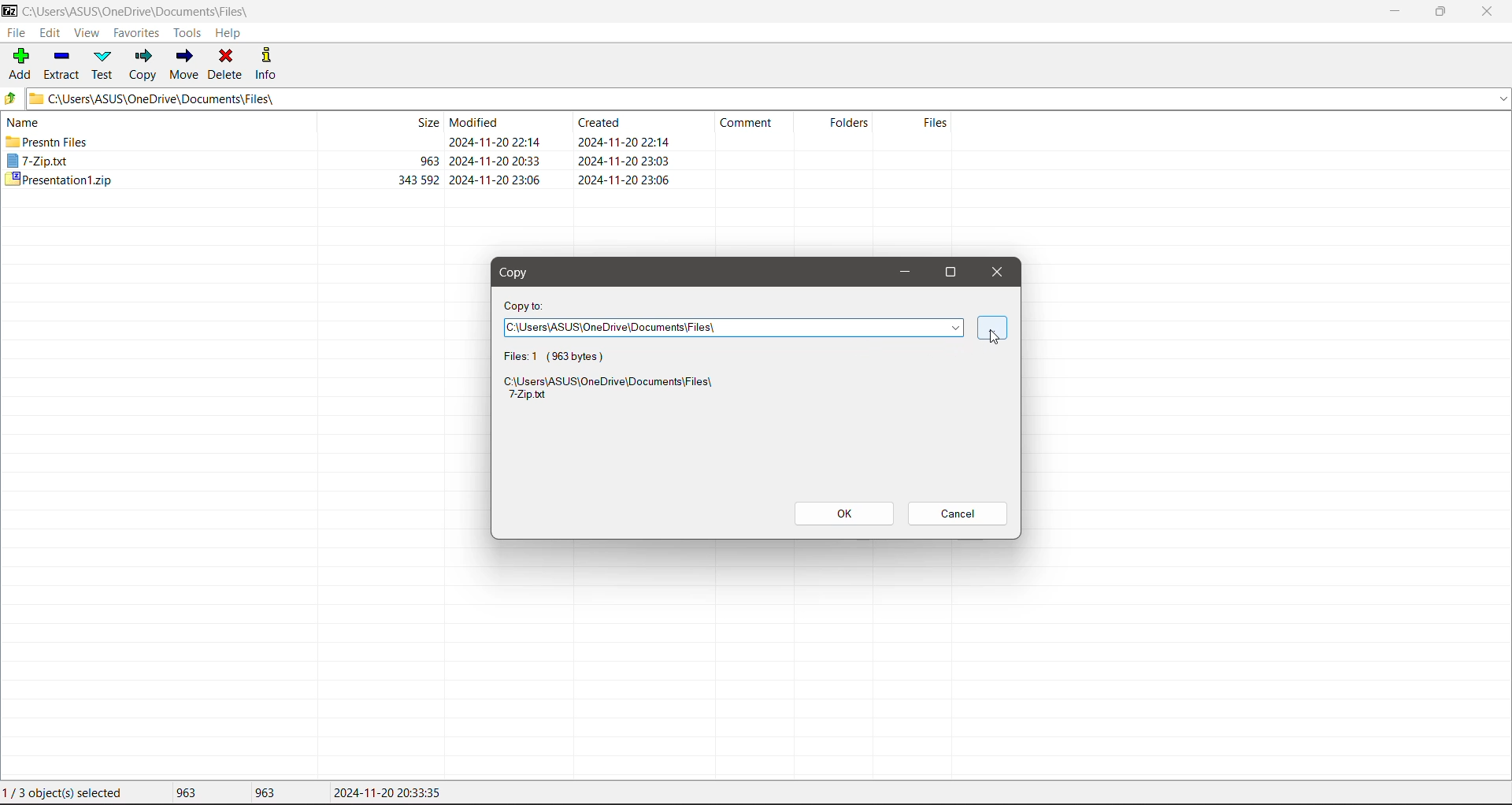  What do you see at coordinates (186, 33) in the screenshot?
I see `Tools` at bounding box center [186, 33].